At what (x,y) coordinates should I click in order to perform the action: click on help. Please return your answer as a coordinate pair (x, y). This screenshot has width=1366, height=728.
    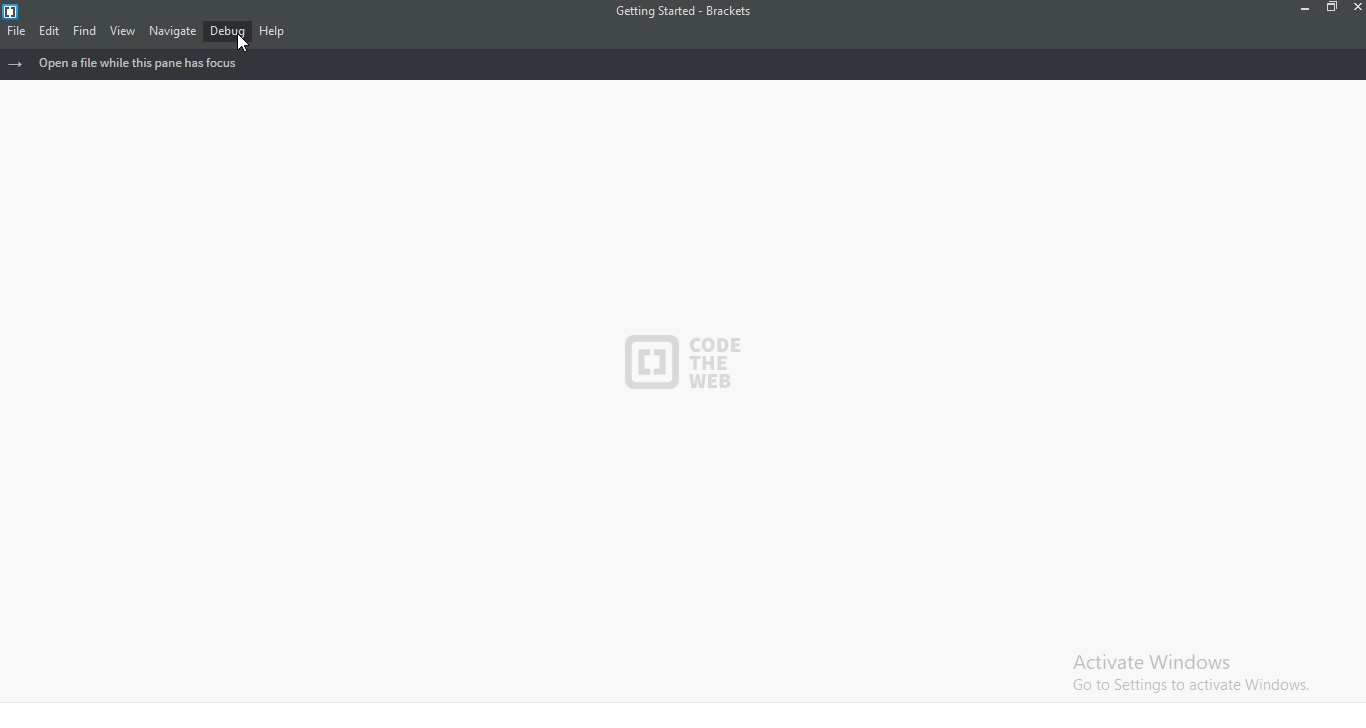
    Looking at the image, I should click on (273, 30).